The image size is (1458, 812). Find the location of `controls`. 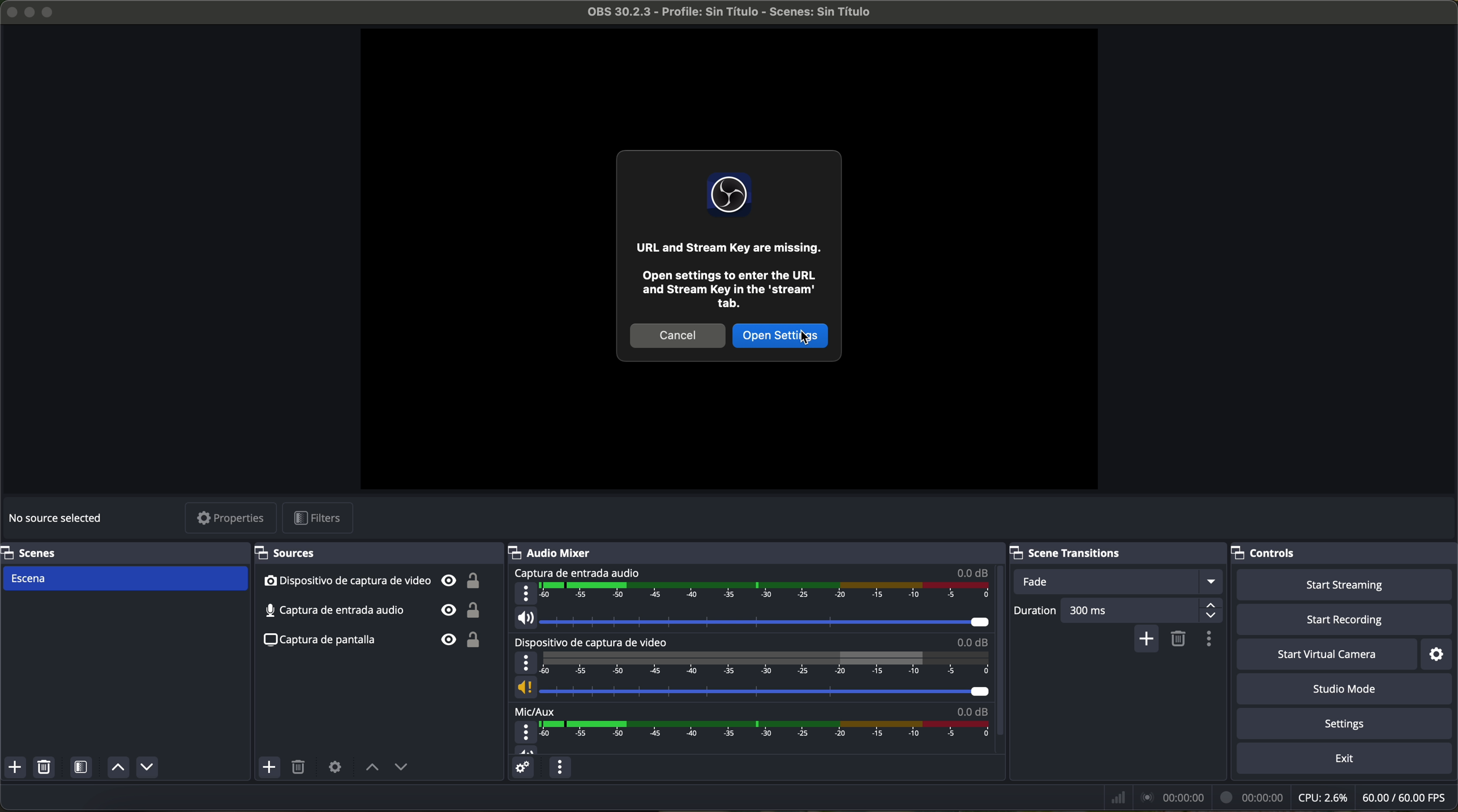

controls is located at coordinates (1344, 553).